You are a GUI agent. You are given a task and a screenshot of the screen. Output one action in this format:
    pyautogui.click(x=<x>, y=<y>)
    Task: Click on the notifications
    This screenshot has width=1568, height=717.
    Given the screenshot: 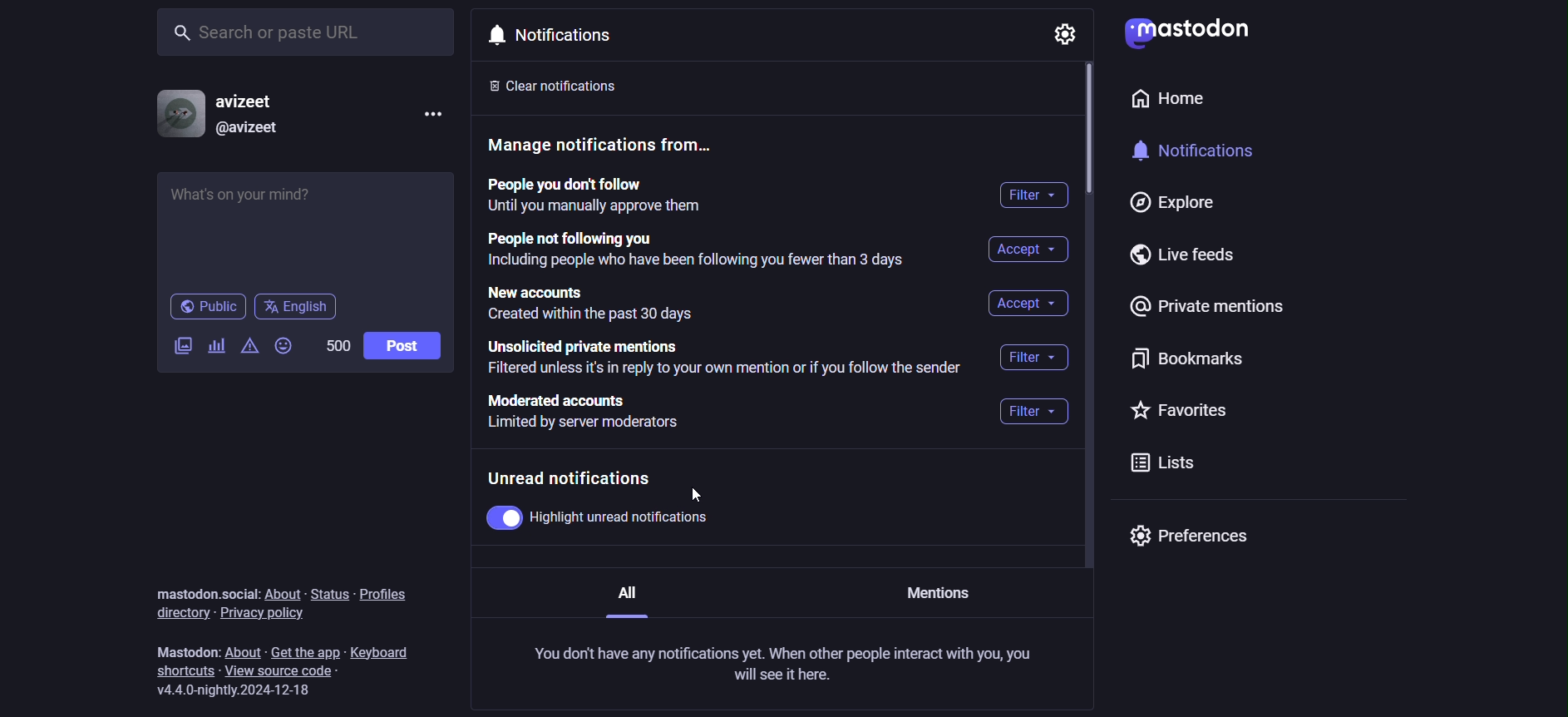 What is the action you would take?
    pyautogui.click(x=573, y=37)
    